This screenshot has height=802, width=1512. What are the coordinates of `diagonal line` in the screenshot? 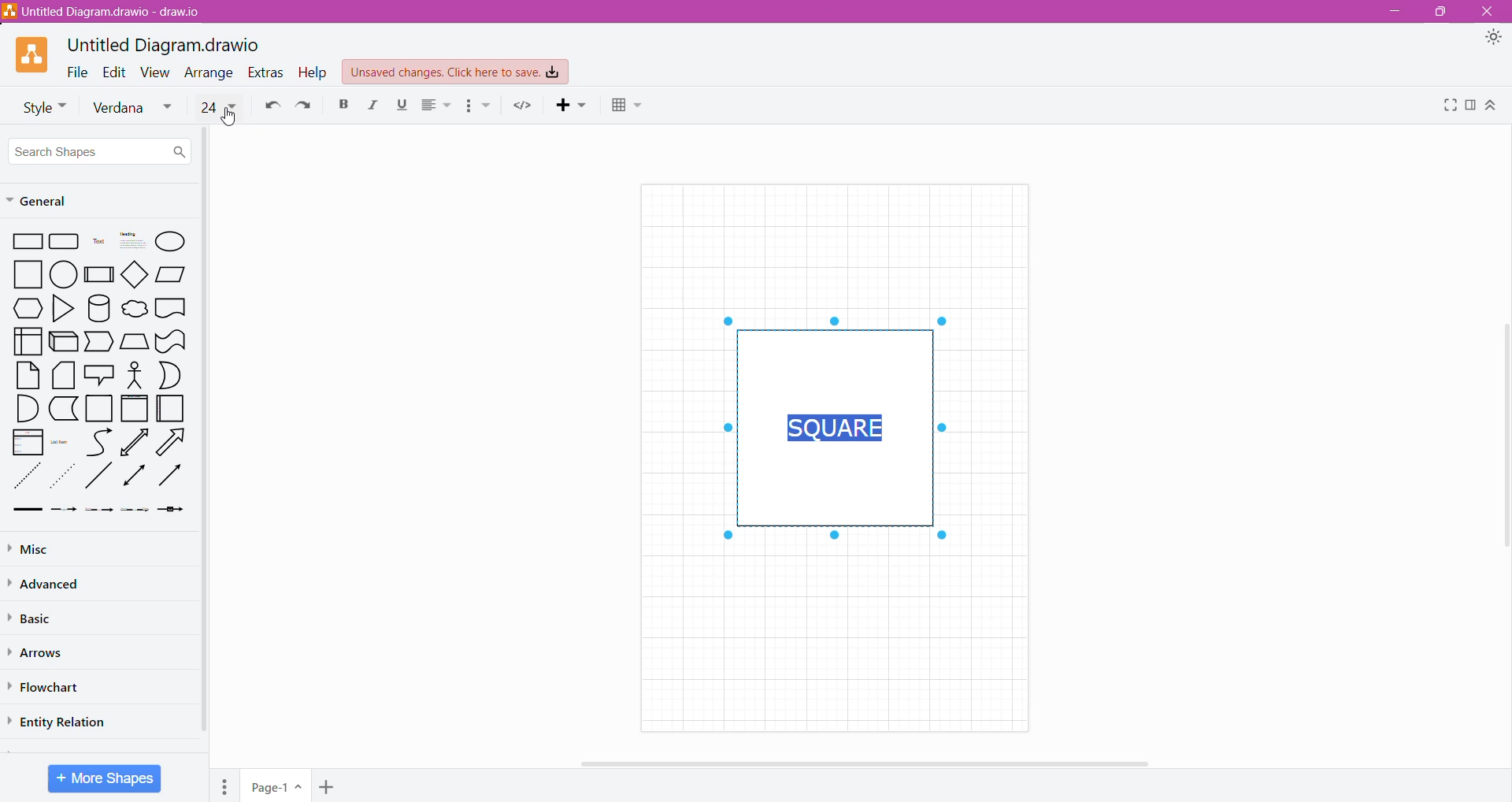 It's located at (98, 477).